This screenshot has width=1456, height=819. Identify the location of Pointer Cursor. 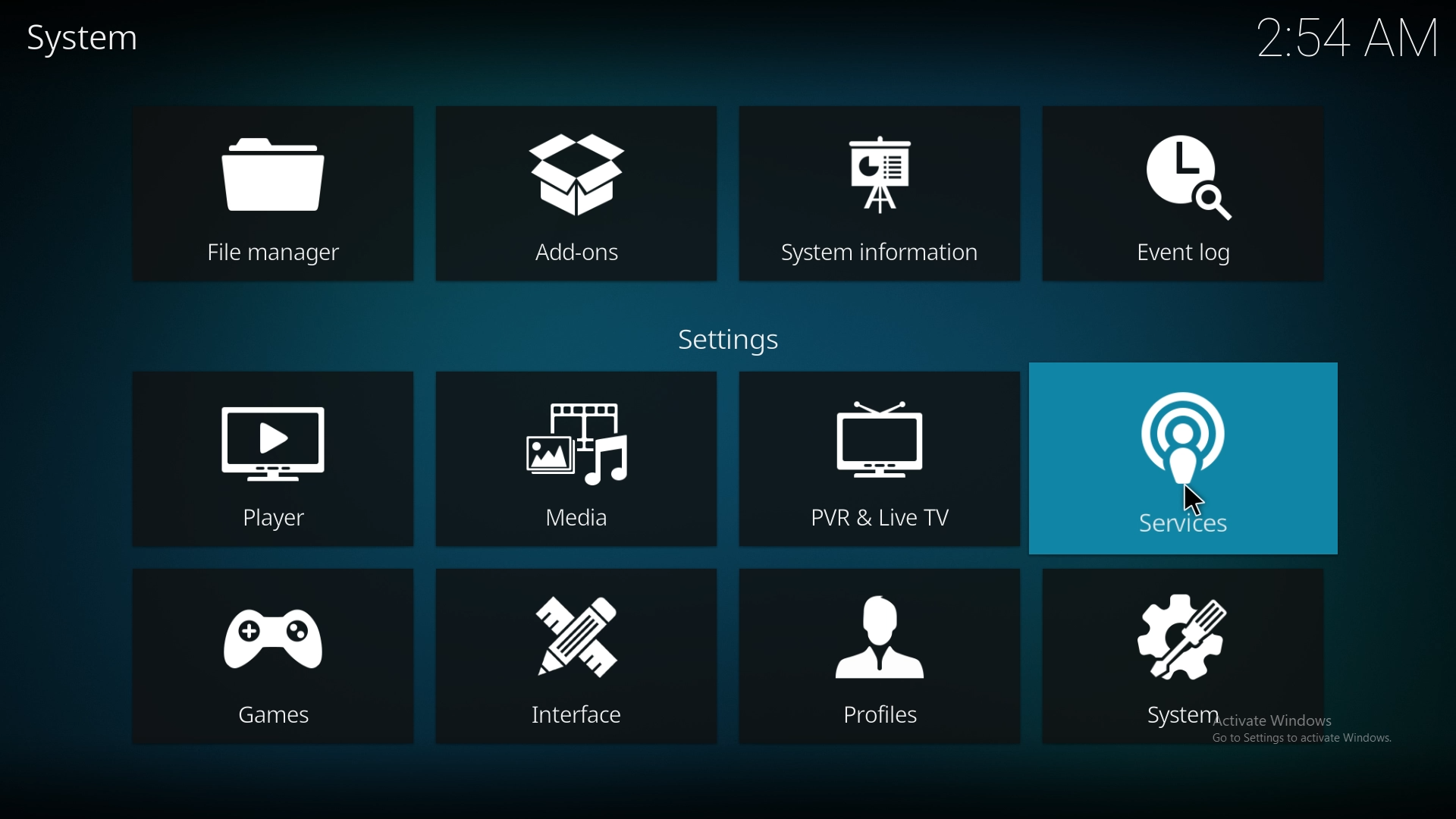
(1200, 500).